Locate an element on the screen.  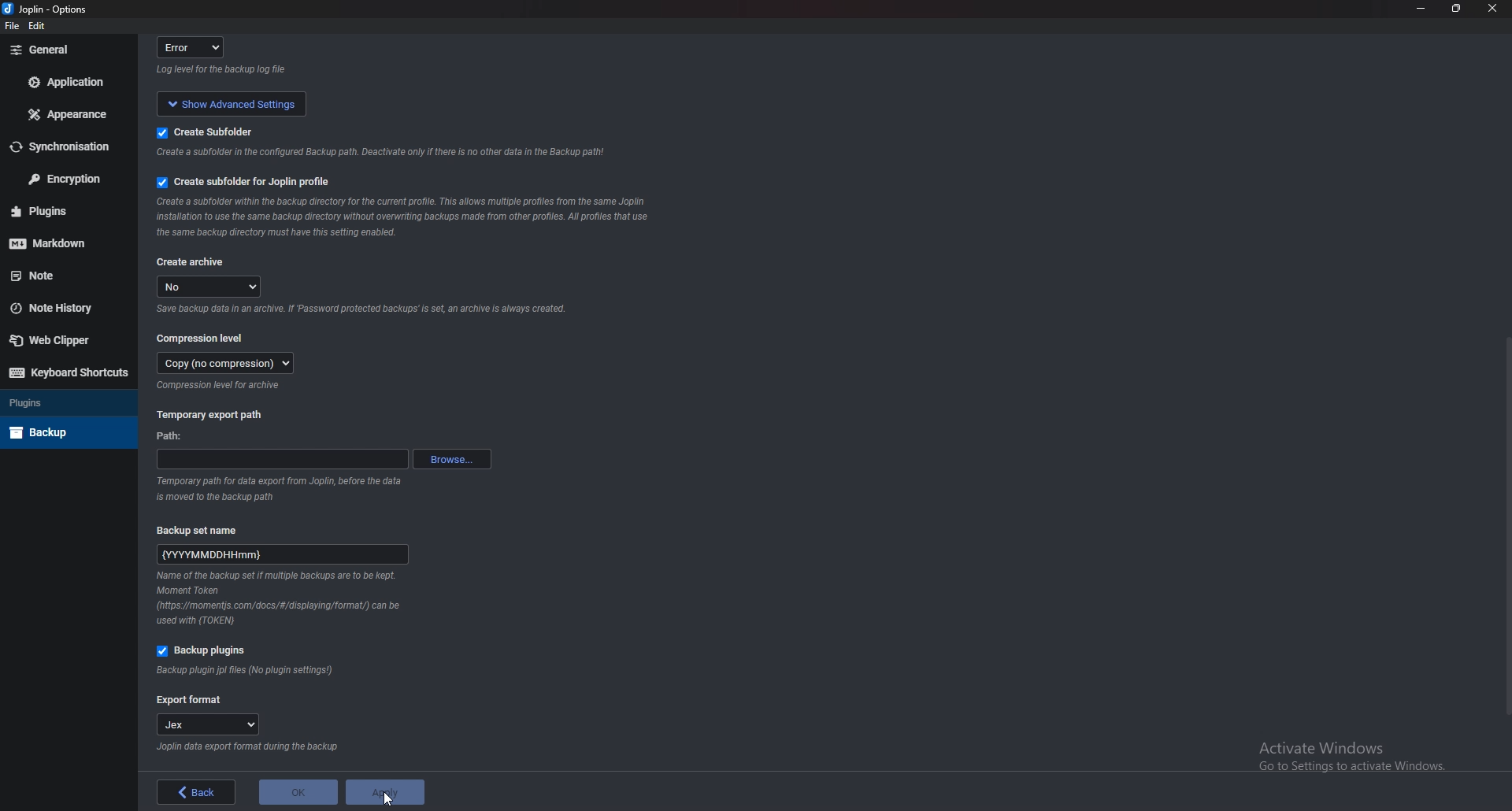
Appearance is located at coordinates (72, 113).